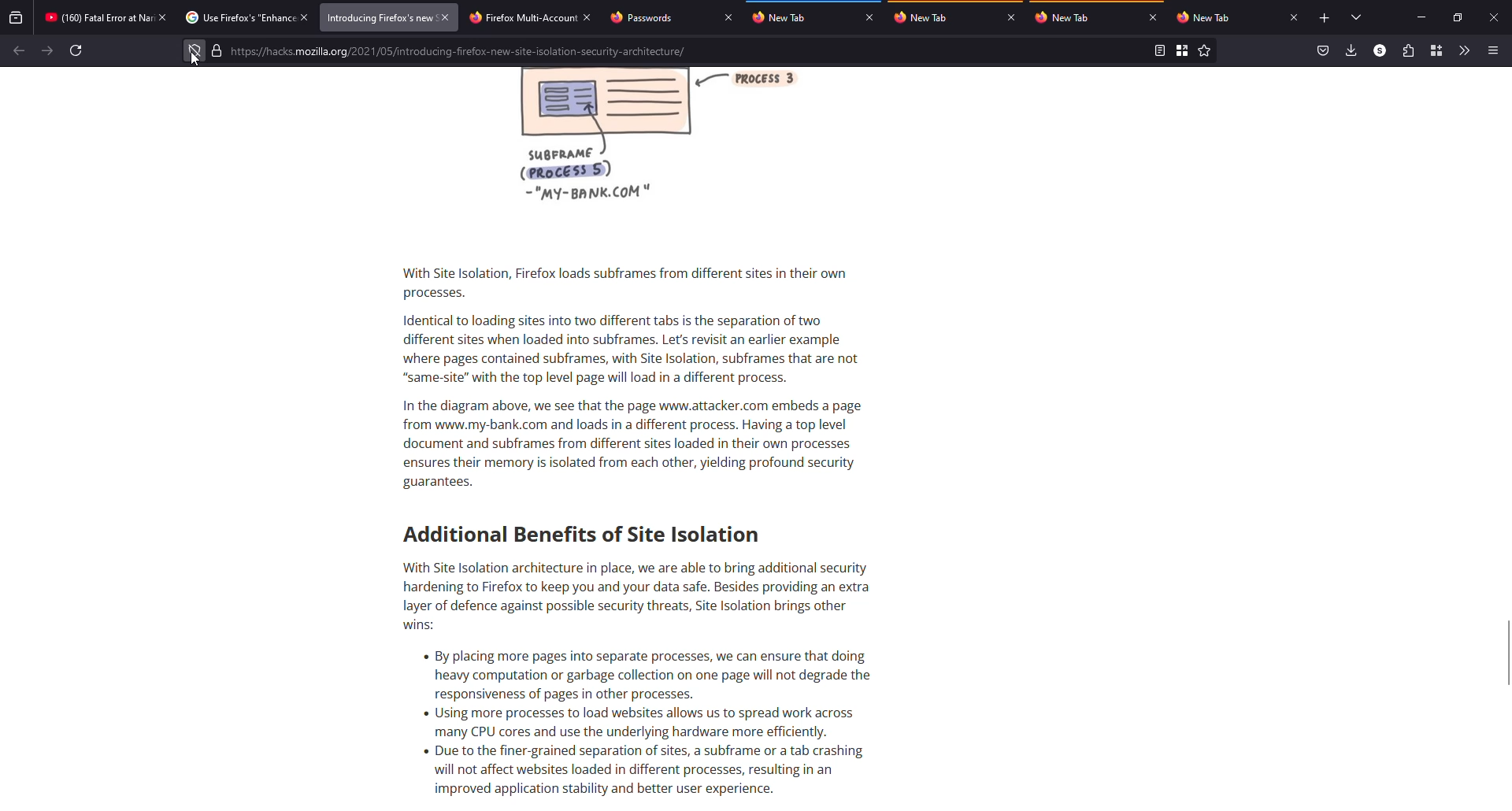 This screenshot has width=1512, height=811. I want to click on tab, so click(1206, 17).